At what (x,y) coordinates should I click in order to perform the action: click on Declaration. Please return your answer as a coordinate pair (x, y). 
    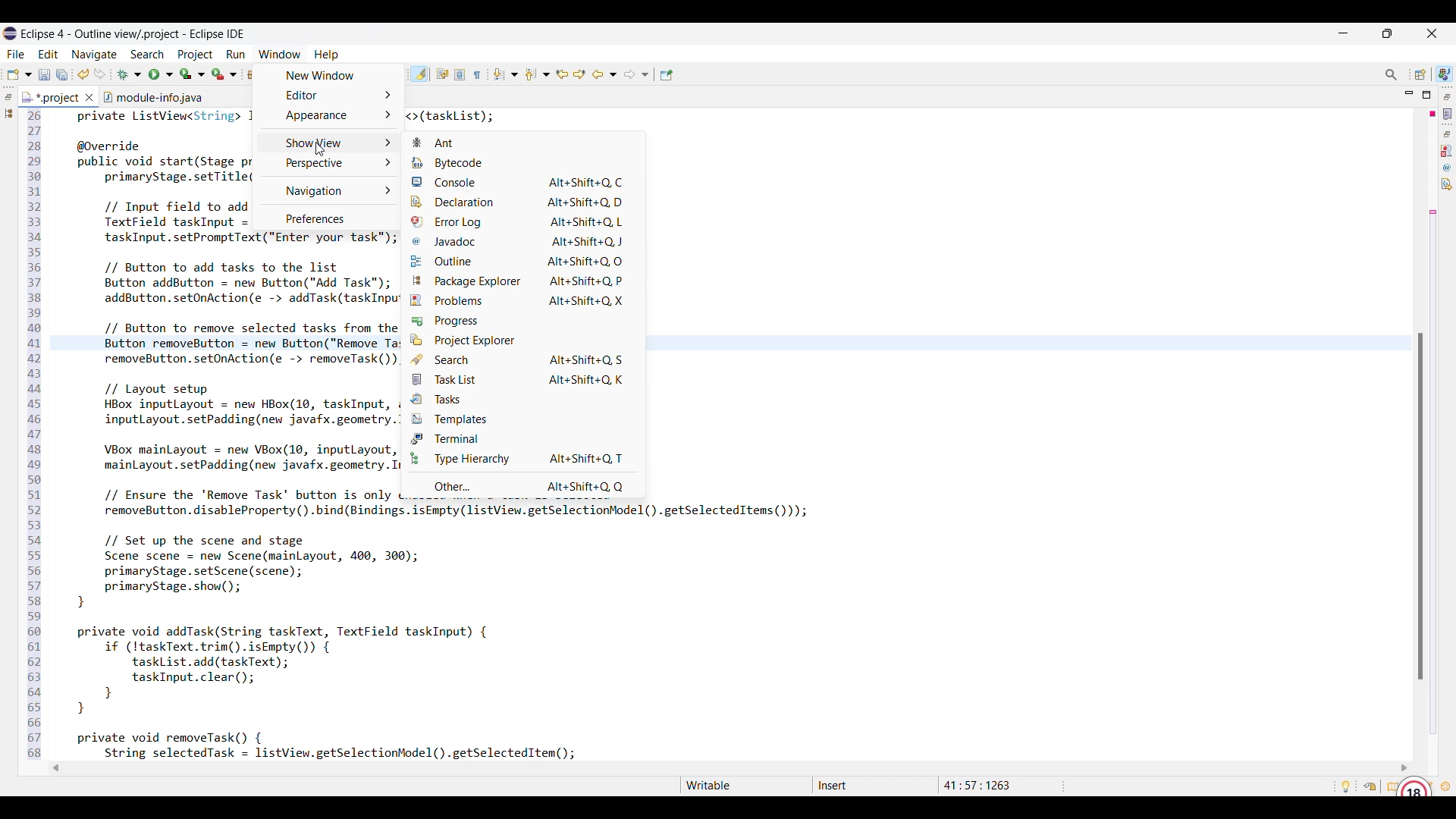
    Looking at the image, I should click on (521, 202).